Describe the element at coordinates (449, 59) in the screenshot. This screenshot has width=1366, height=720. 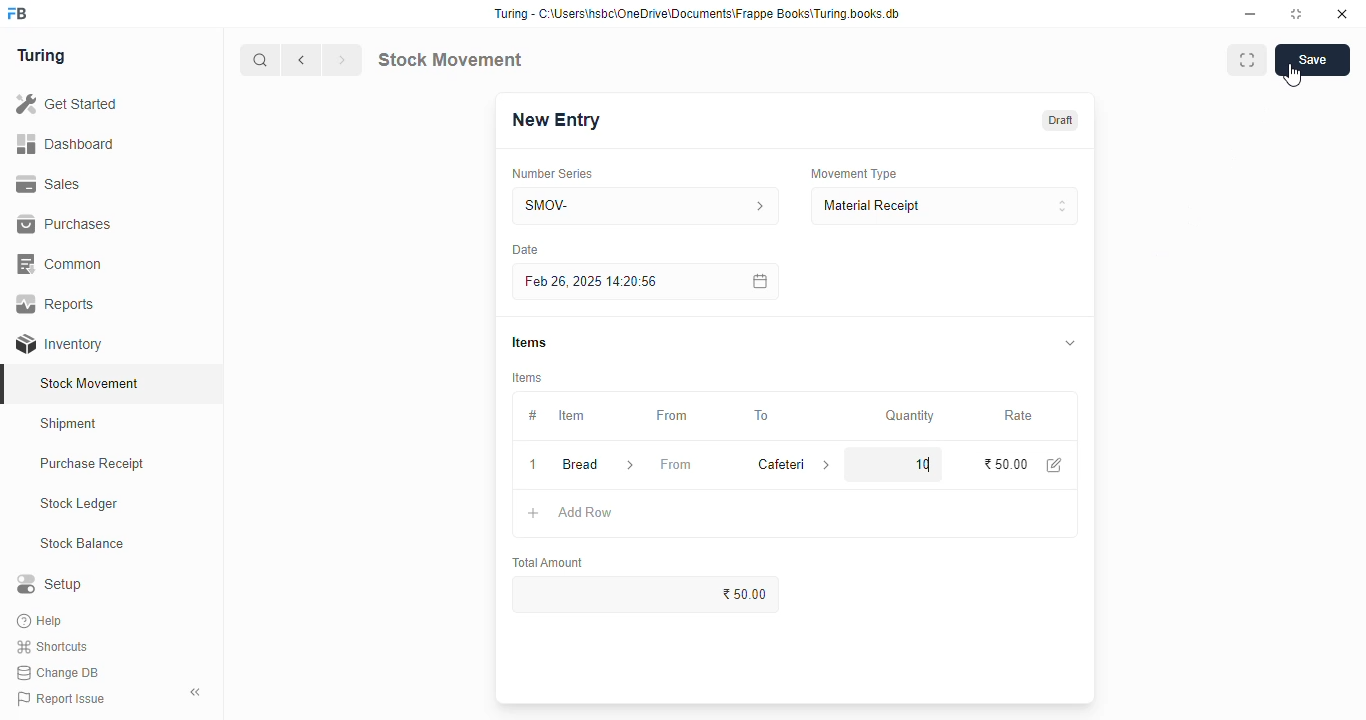
I see `stock movement` at that location.